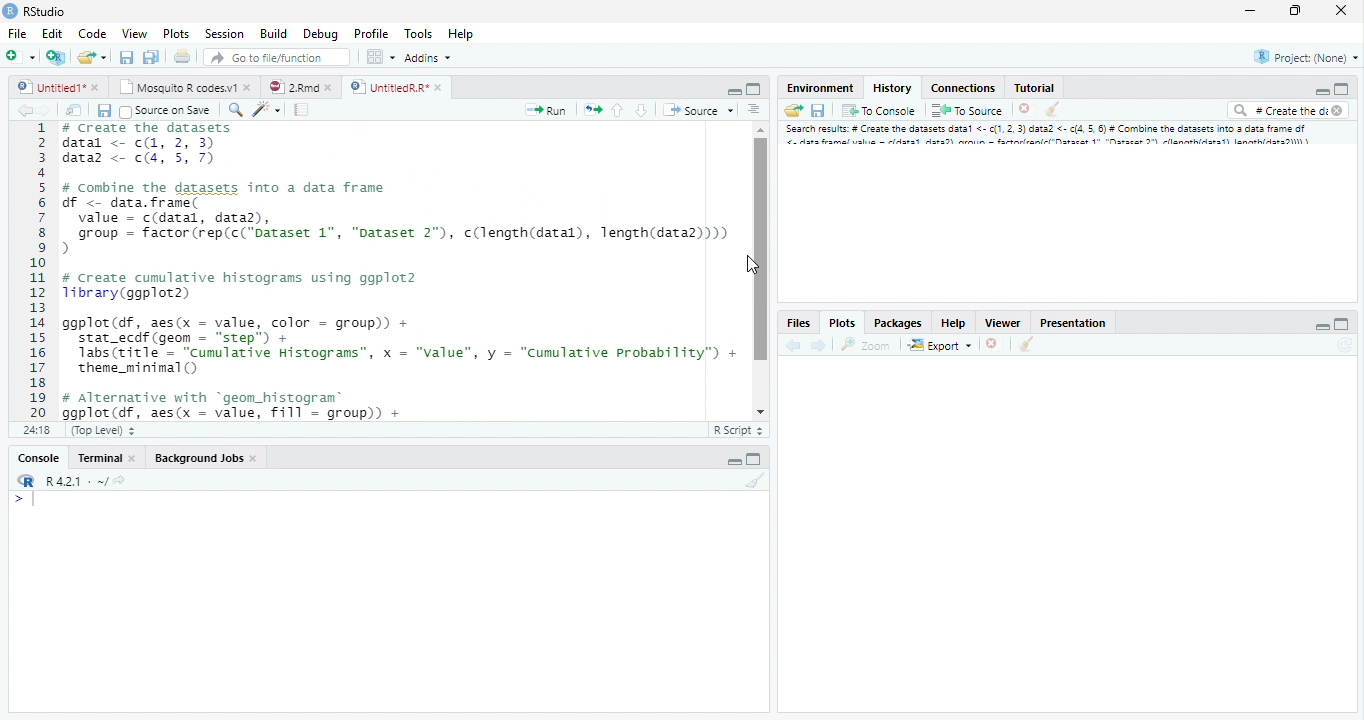 The image size is (1364, 720). Describe the element at coordinates (460, 34) in the screenshot. I see `Help` at that location.